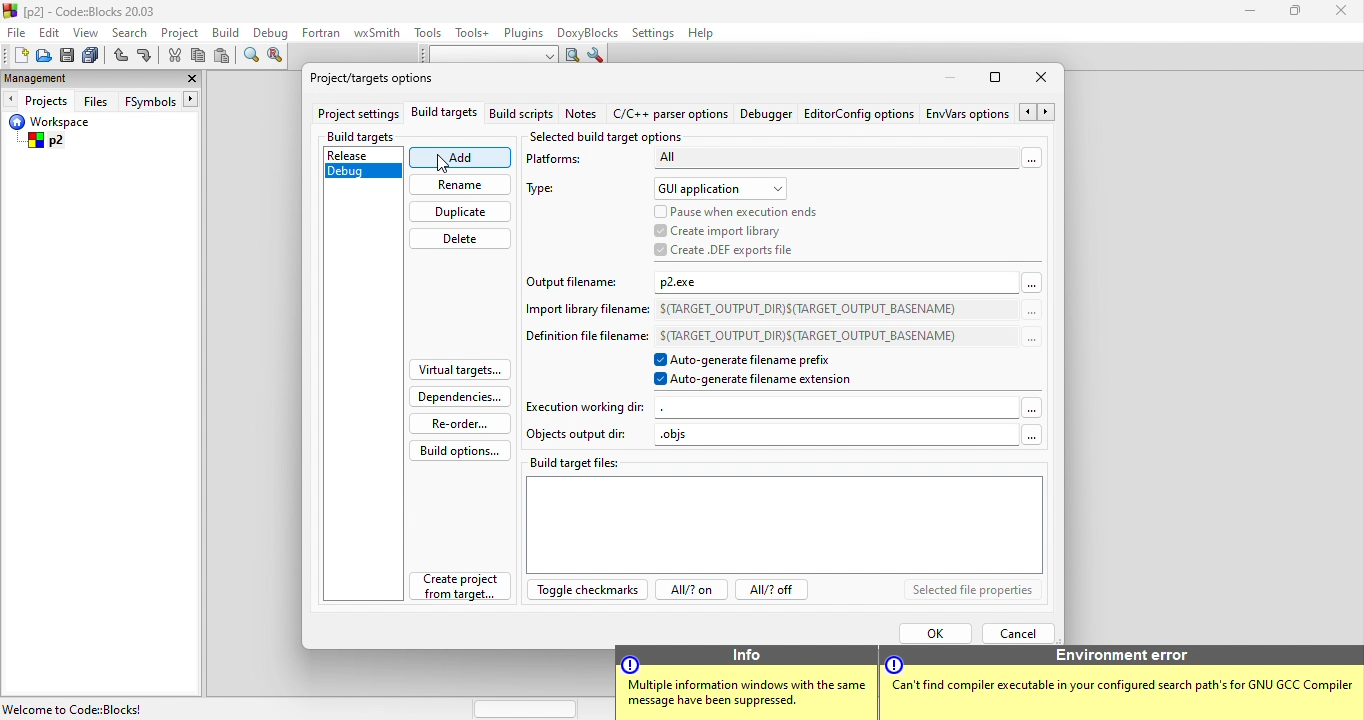 The height and width of the screenshot is (720, 1364). Describe the element at coordinates (249, 57) in the screenshot. I see `find ` at that location.